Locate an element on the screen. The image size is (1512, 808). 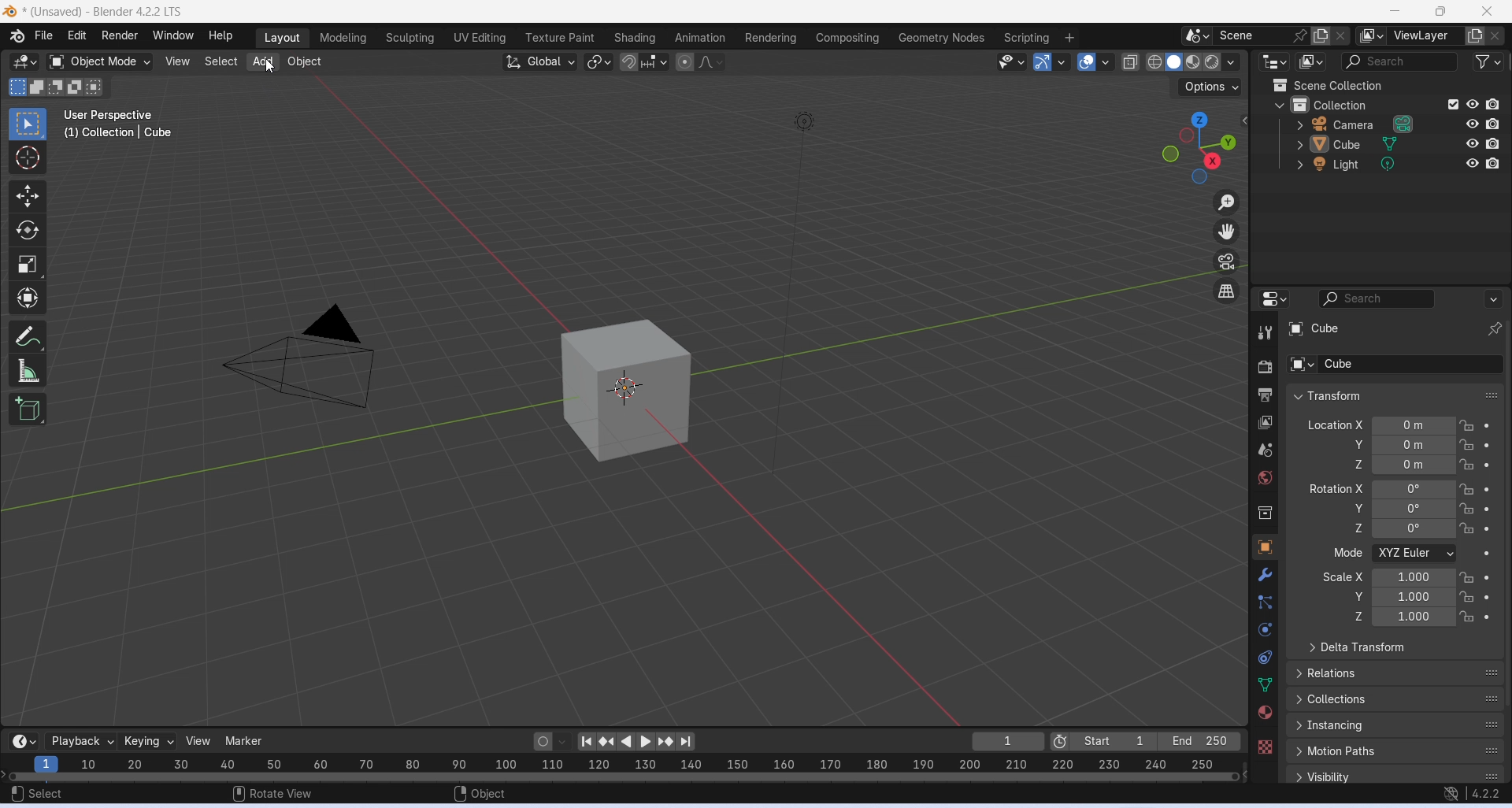
End 250 is located at coordinates (1198, 741).